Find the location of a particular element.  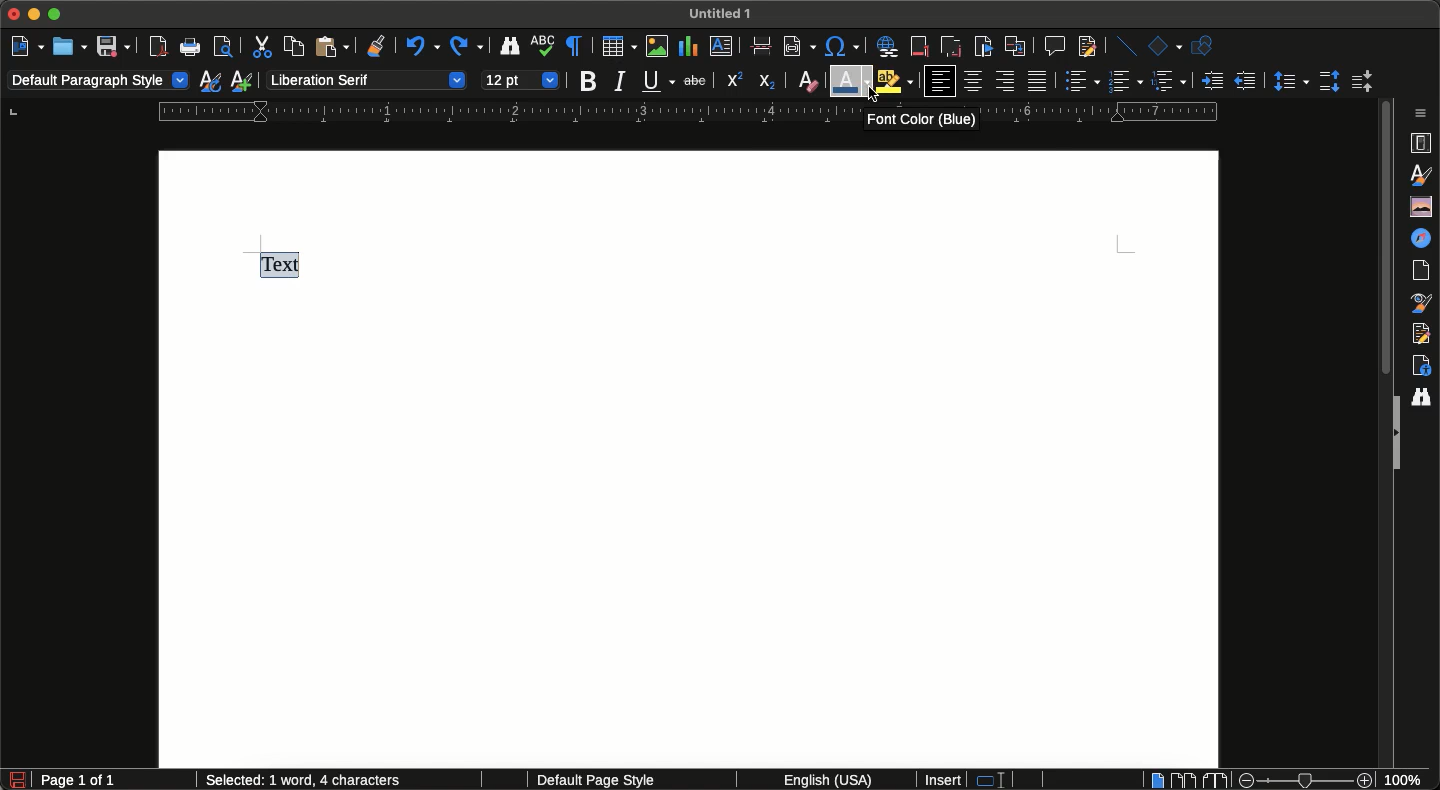

Cut is located at coordinates (260, 46).